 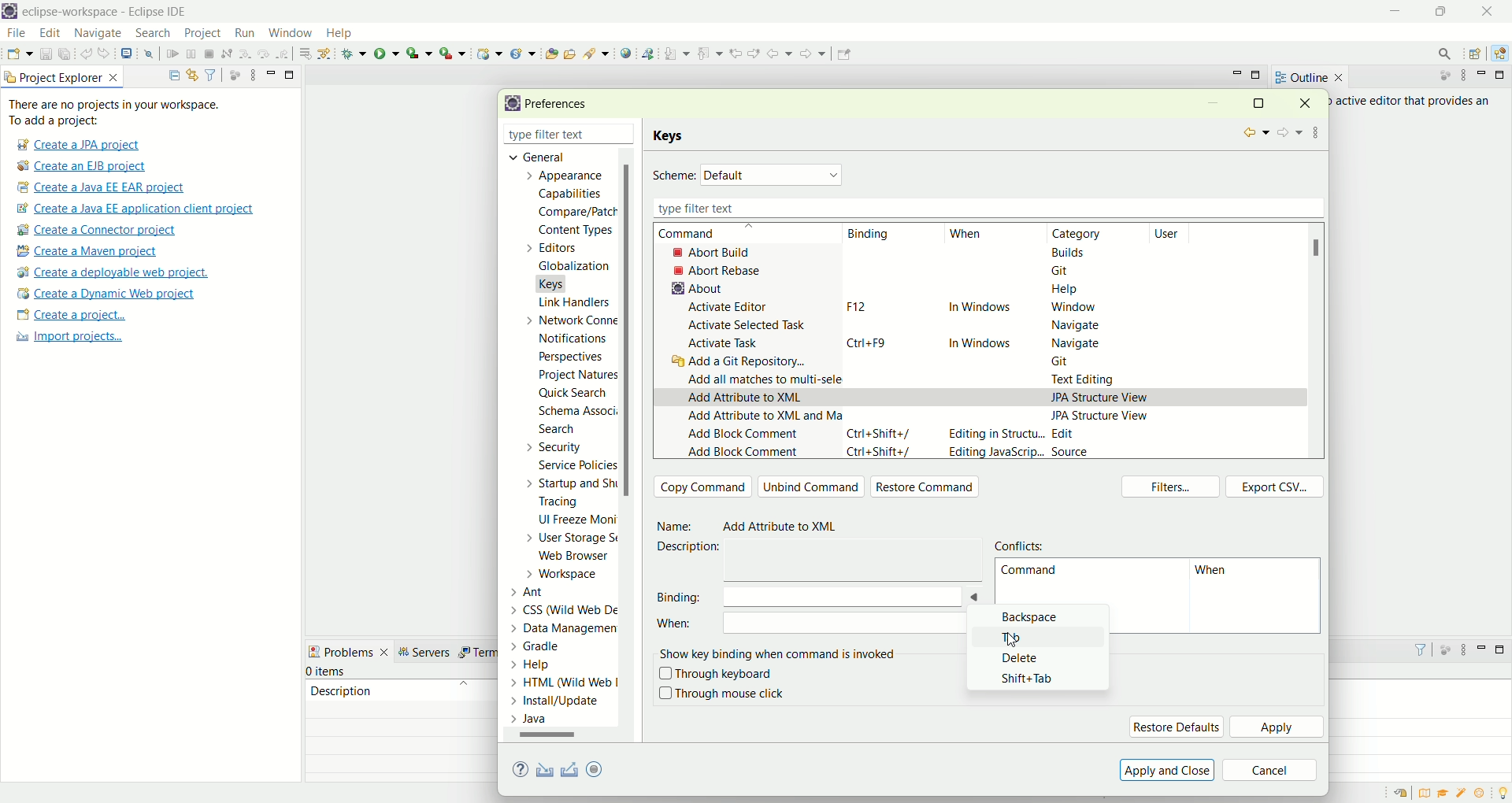 I want to click on focus on active task, so click(x=1437, y=76).